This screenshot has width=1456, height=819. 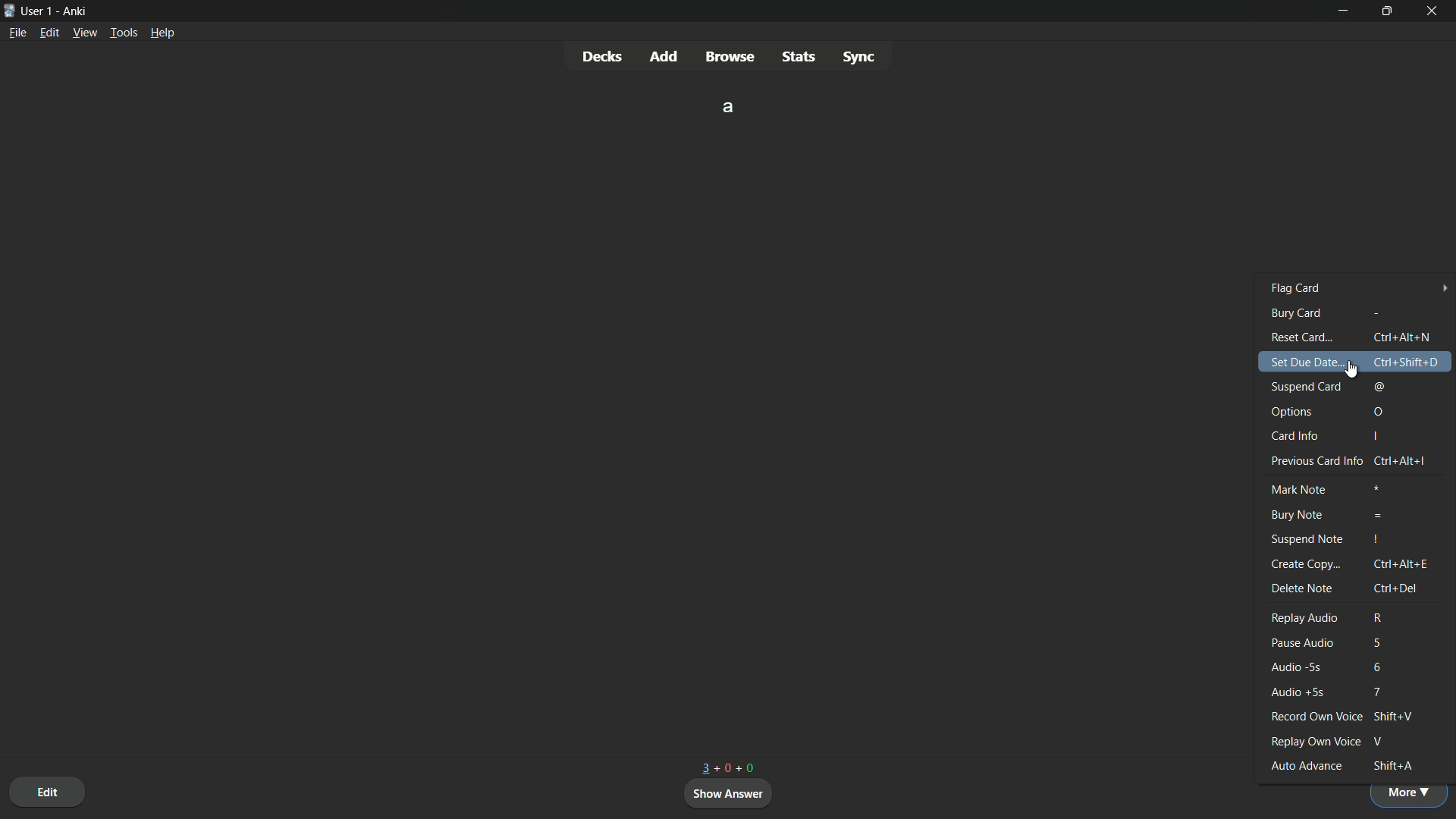 I want to click on help menu, so click(x=164, y=32).